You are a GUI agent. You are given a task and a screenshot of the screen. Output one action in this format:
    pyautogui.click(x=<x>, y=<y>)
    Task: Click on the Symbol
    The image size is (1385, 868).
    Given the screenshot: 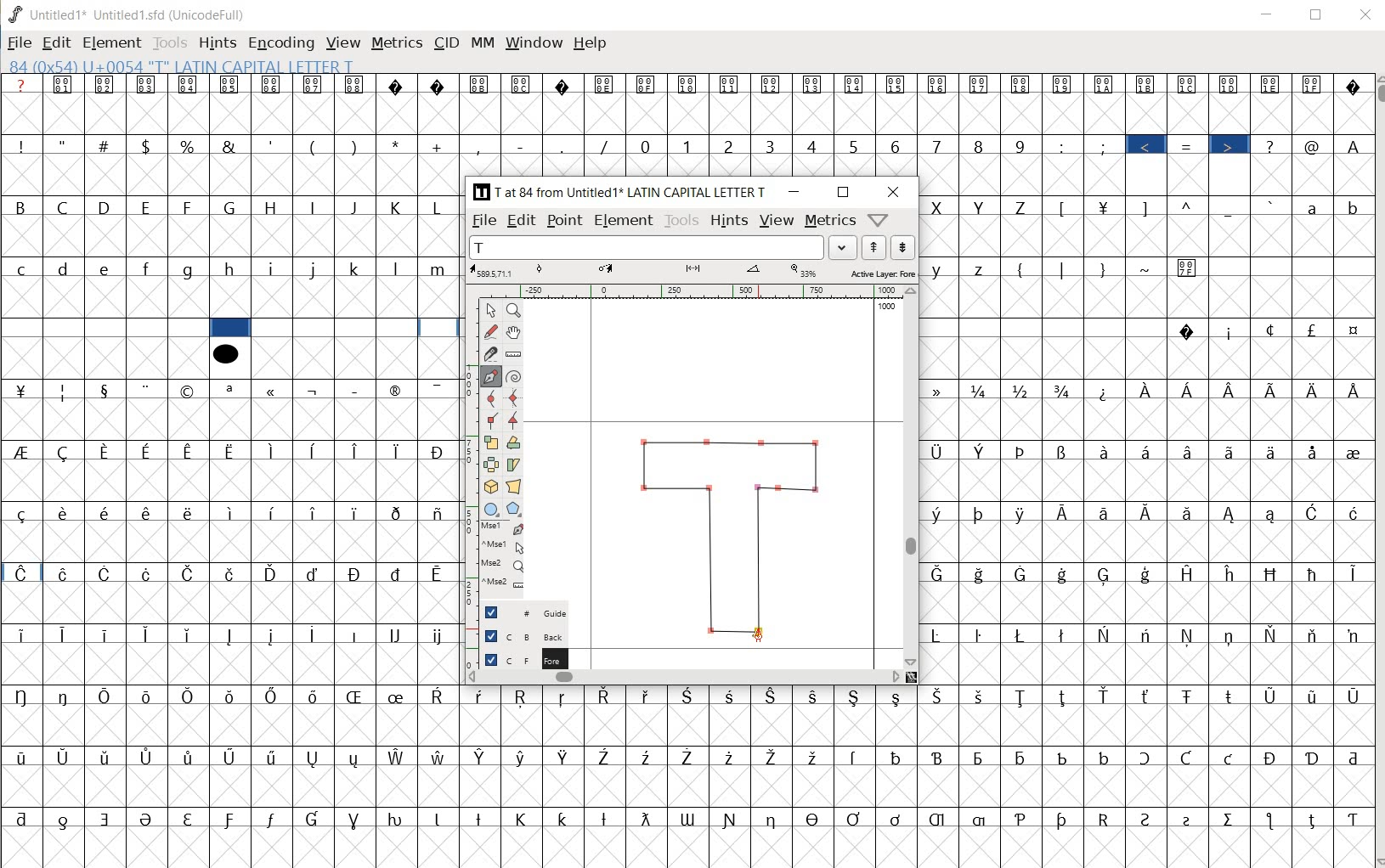 What is the action you would take?
    pyautogui.click(x=482, y=757)
    